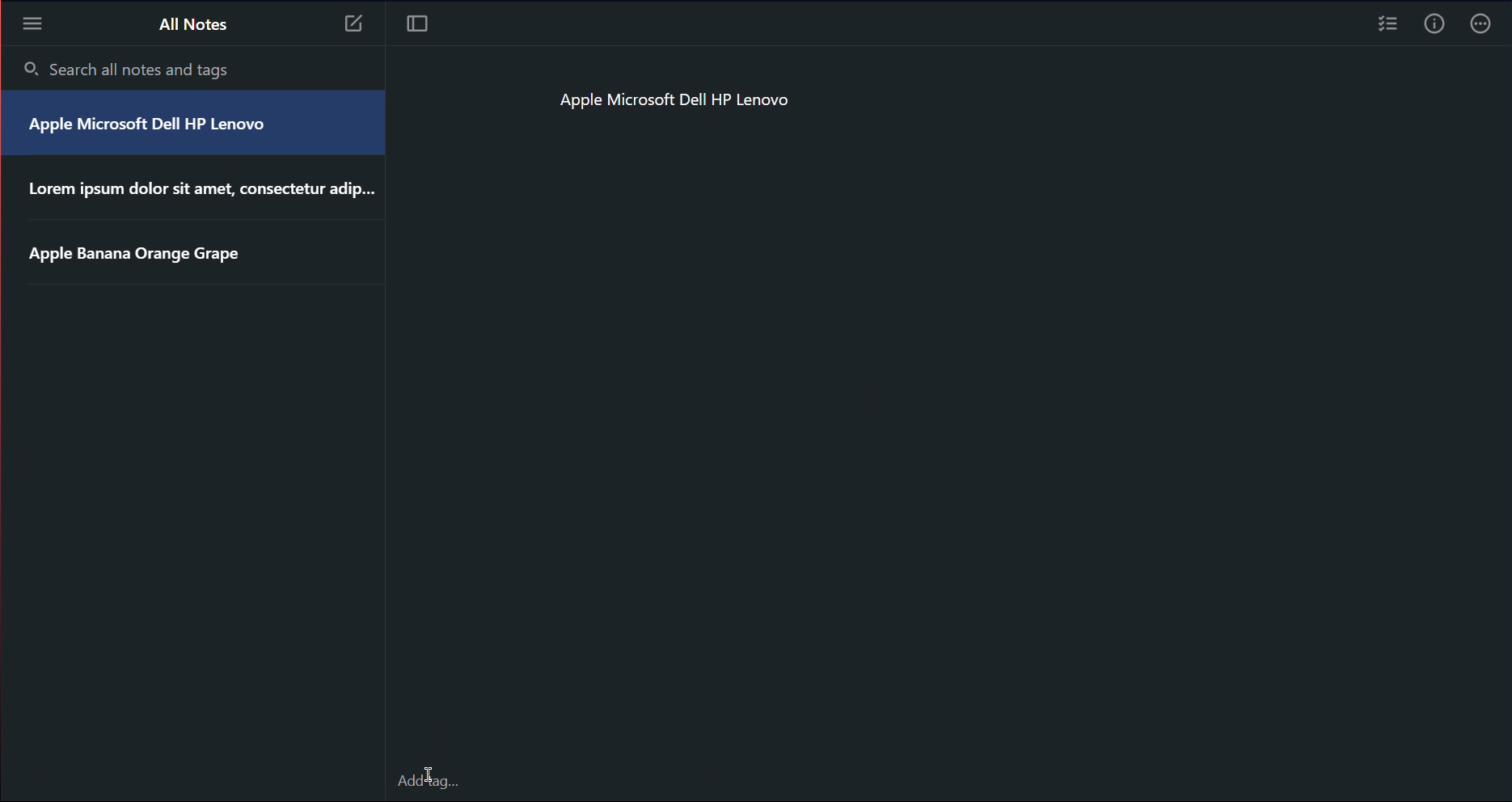  I want to click on Note 3, so click(356, 26).